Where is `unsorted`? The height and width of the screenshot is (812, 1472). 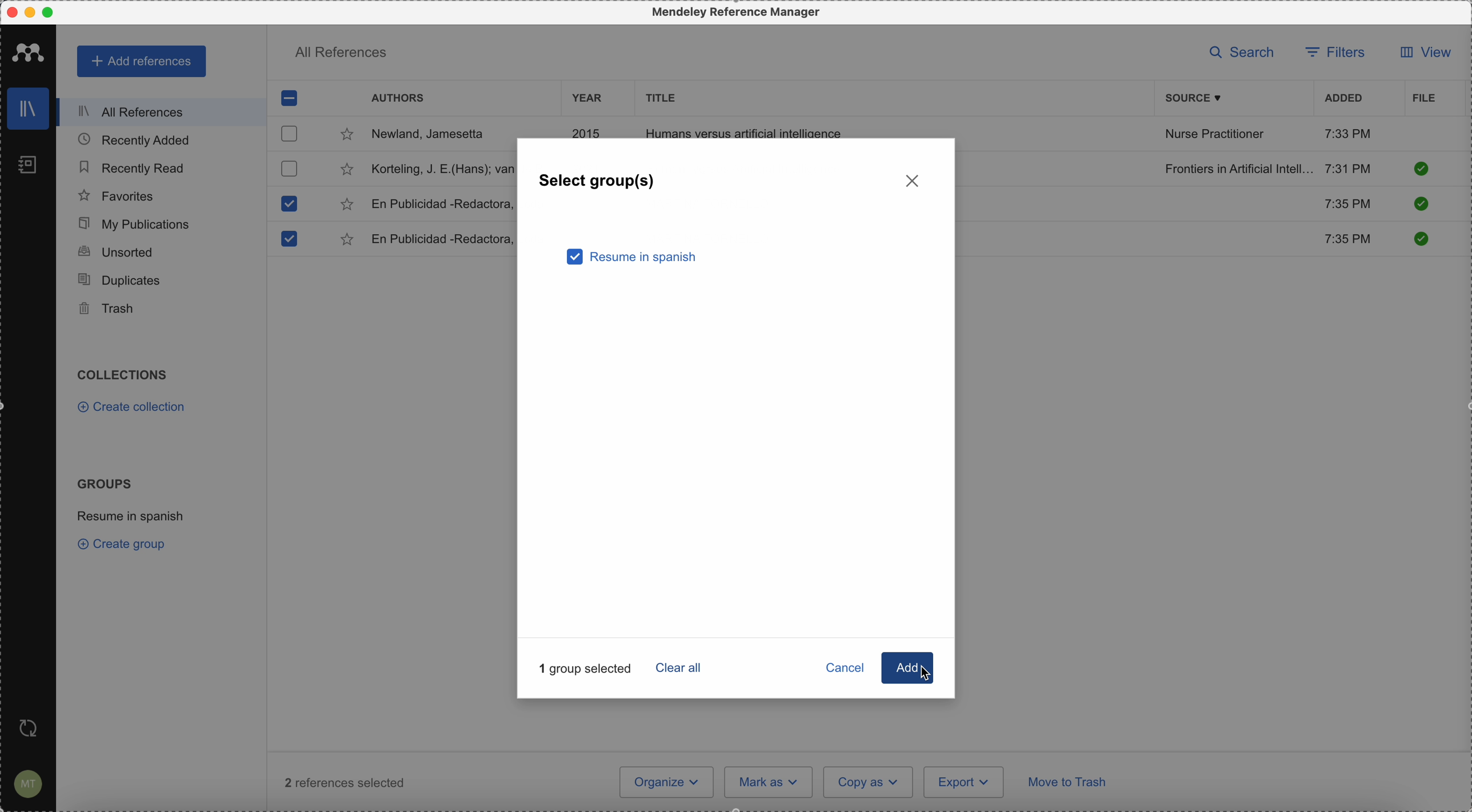
unsorted is located at coordinates (115, 251).